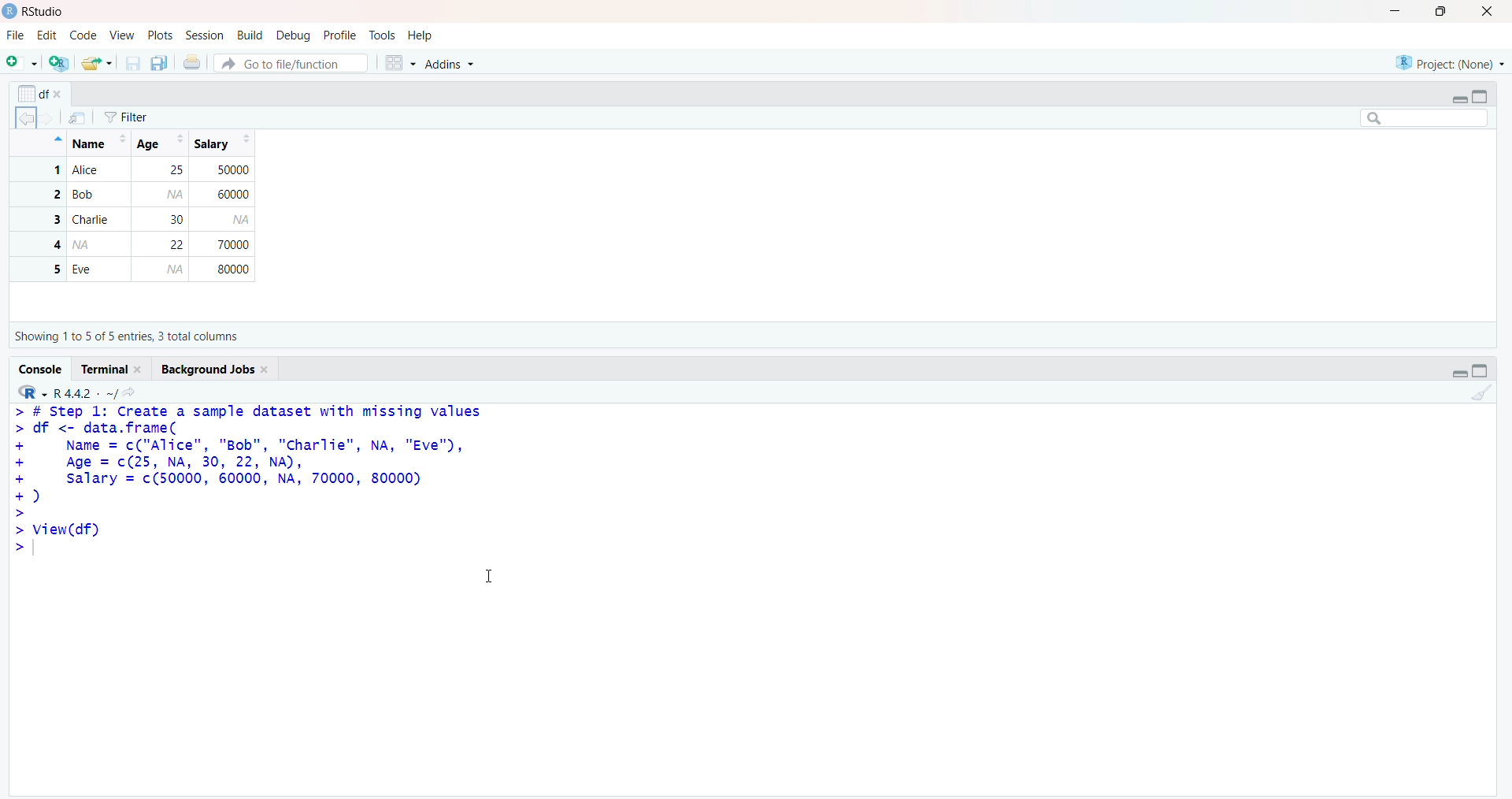  What do you see at coordinates (255, 496) in the screenshot?
I see `> # Step Ll: (Create a sample dataset with missing values
> df <- data.frame(
+ Name = c("Alice", "Bob", "Charlie", NA, "Eve"),
+ Age = c(25, NA, 30, 22, NA),
+ salary = c(50000, 60000, NA, 70000, 80000)
+)
>
> View(df)
>
I` at bounding box center [255, 496].